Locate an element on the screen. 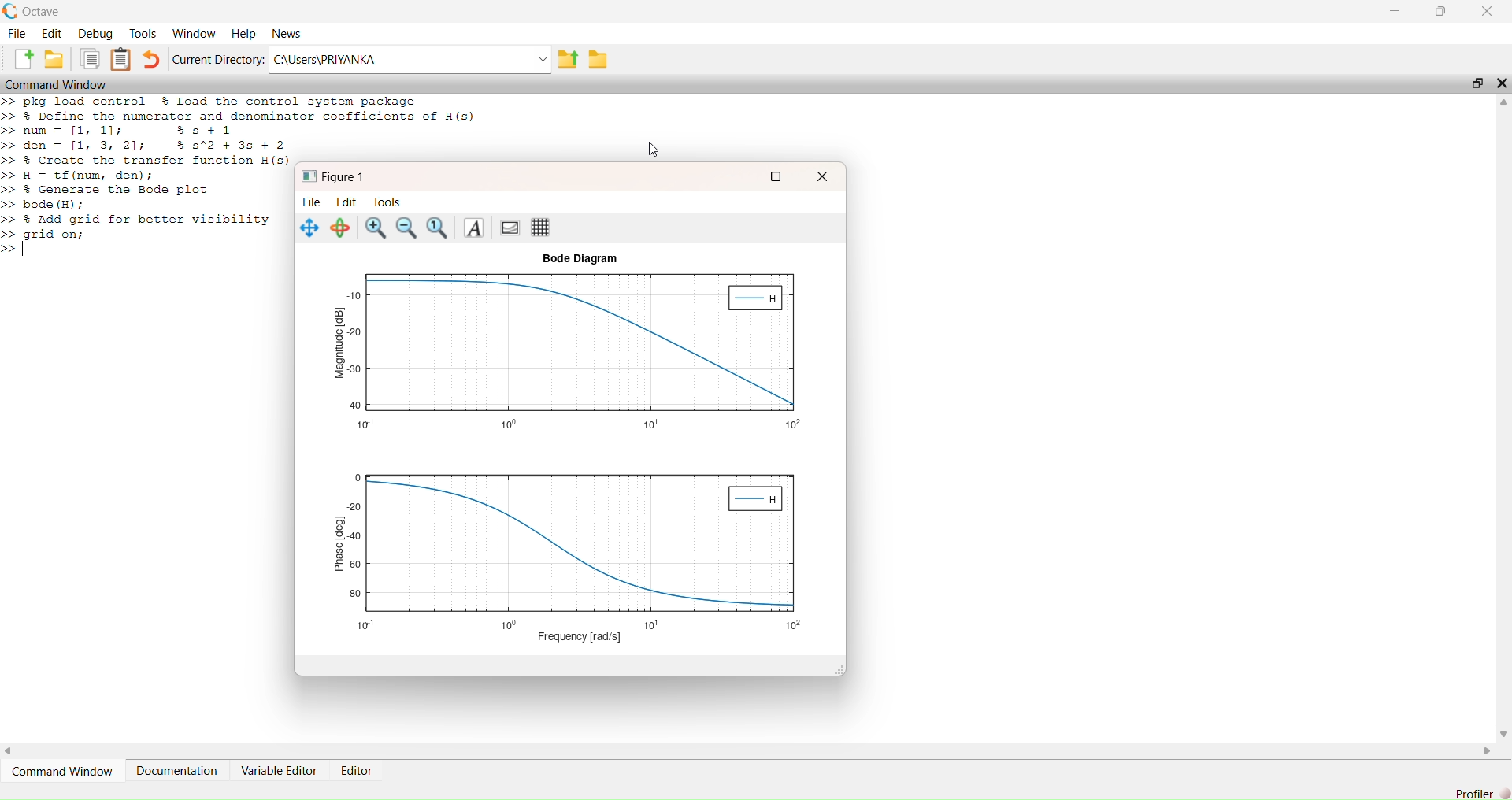 The height and width of the screenshot is (800, 1512). New script is located at coordinates (21, 59).